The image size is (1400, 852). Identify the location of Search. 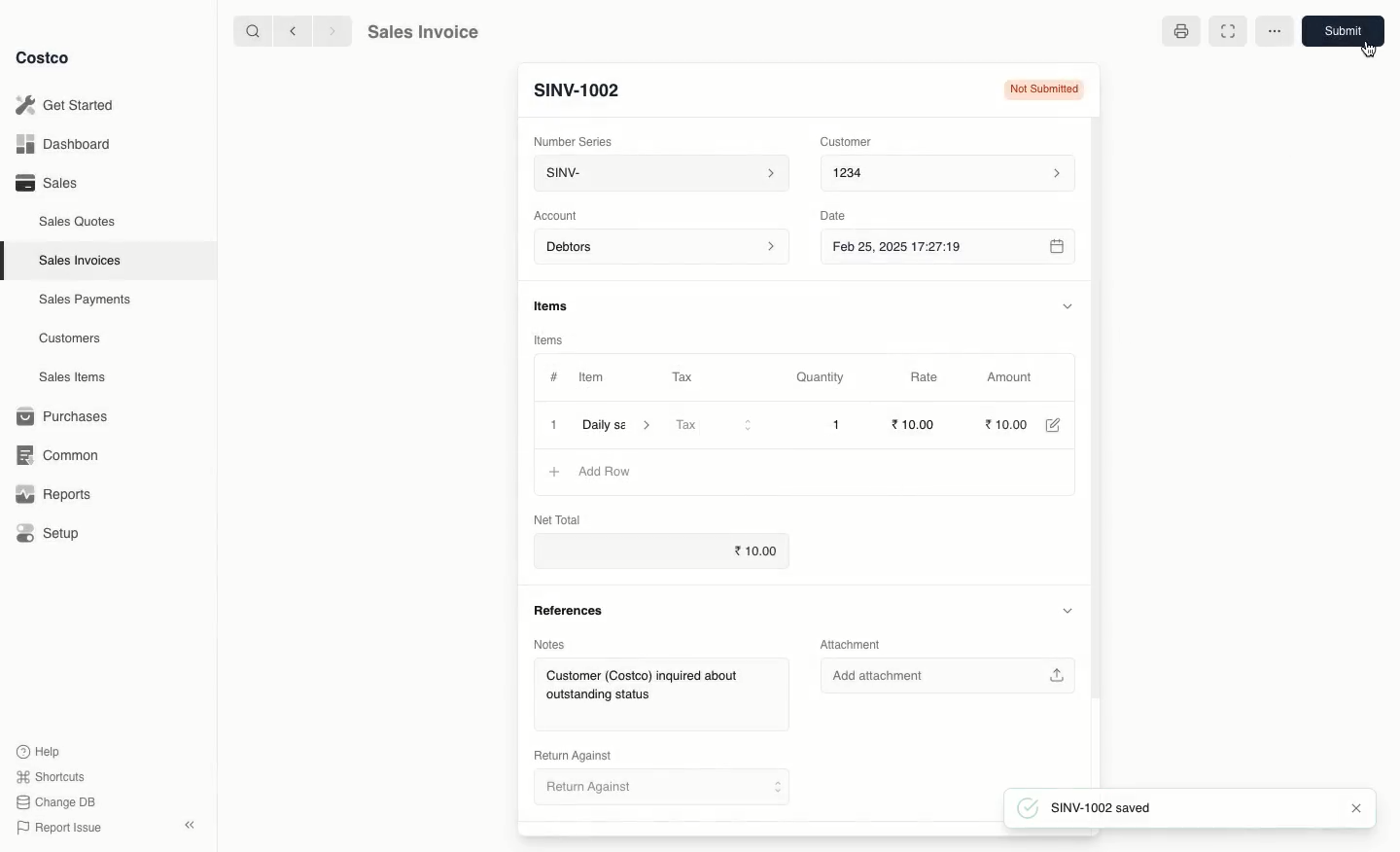
(248, 32).